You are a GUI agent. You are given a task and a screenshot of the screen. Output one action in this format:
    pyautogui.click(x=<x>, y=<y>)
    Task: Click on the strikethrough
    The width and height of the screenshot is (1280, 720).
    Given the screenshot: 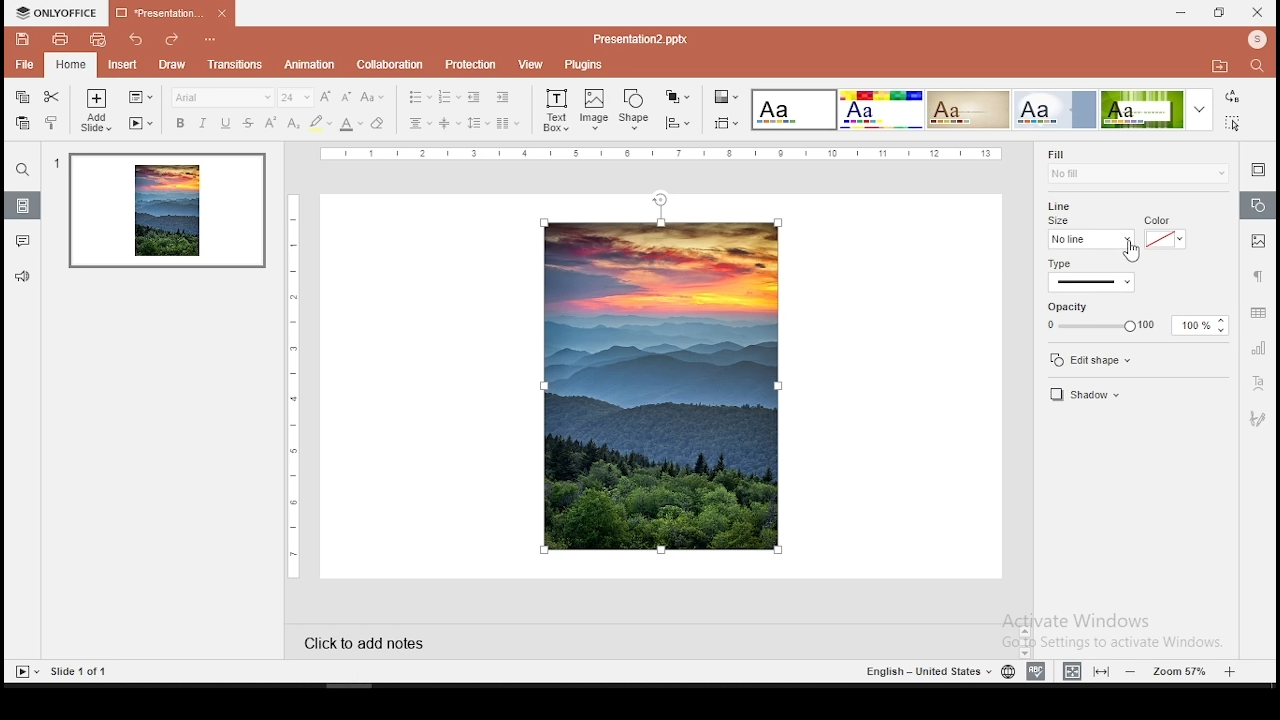 What is the action you would take?
    pyautogui.click(x=249, y=121)
    